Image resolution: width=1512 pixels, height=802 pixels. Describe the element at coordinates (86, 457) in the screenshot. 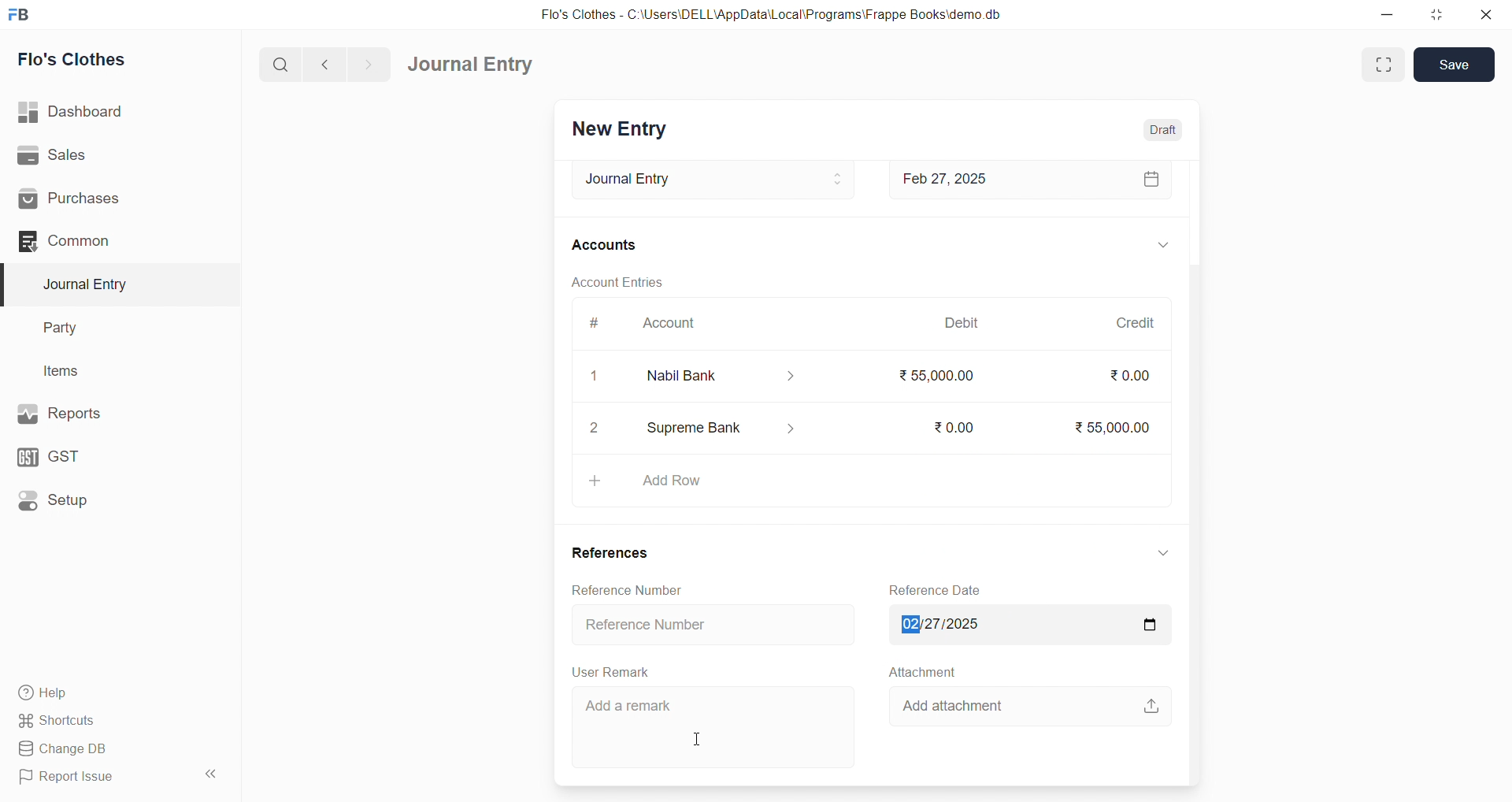

I see `GST` at that location.